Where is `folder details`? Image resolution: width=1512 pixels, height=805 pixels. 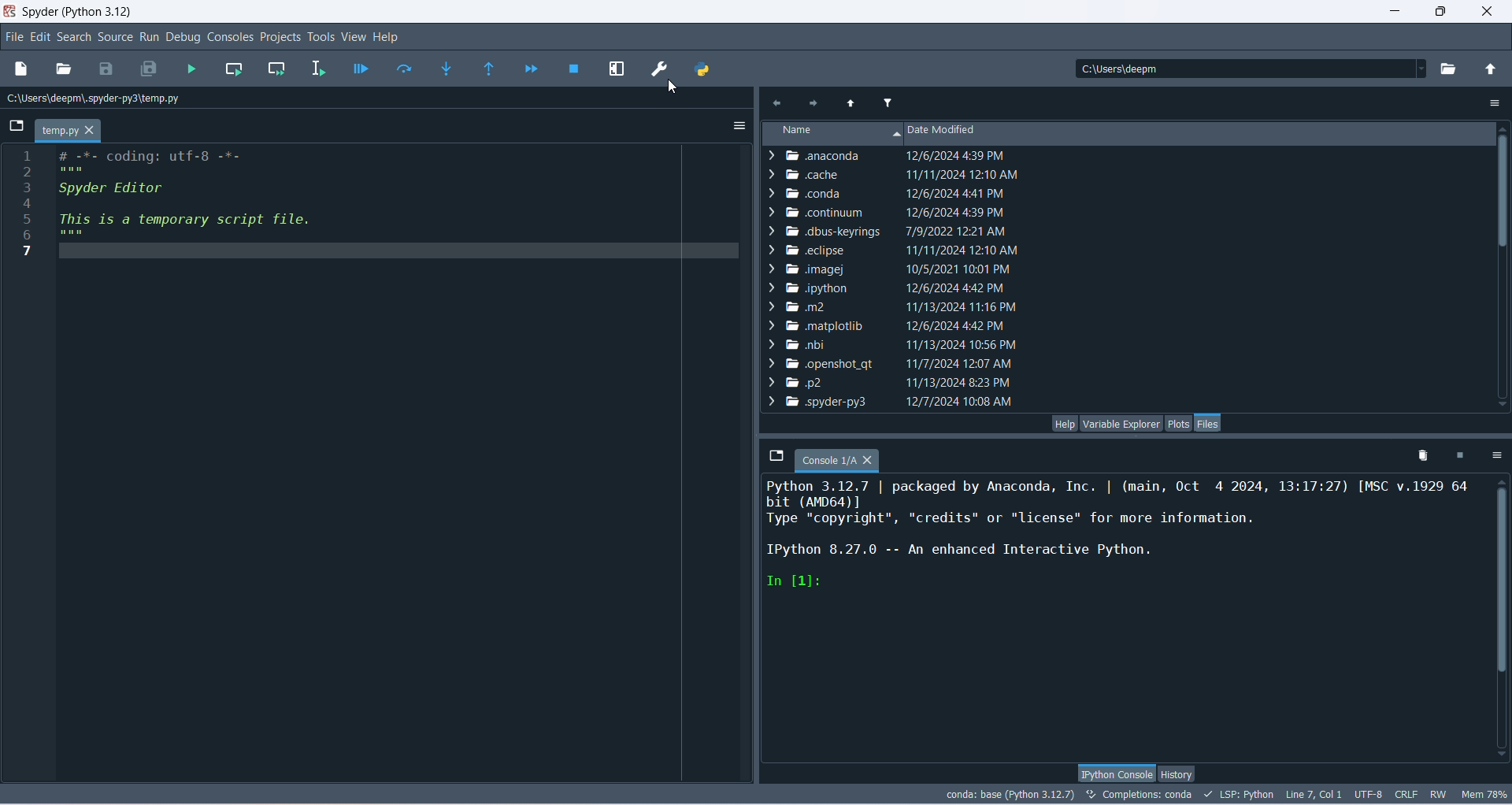 folder details is located at coordinates (893, 383).